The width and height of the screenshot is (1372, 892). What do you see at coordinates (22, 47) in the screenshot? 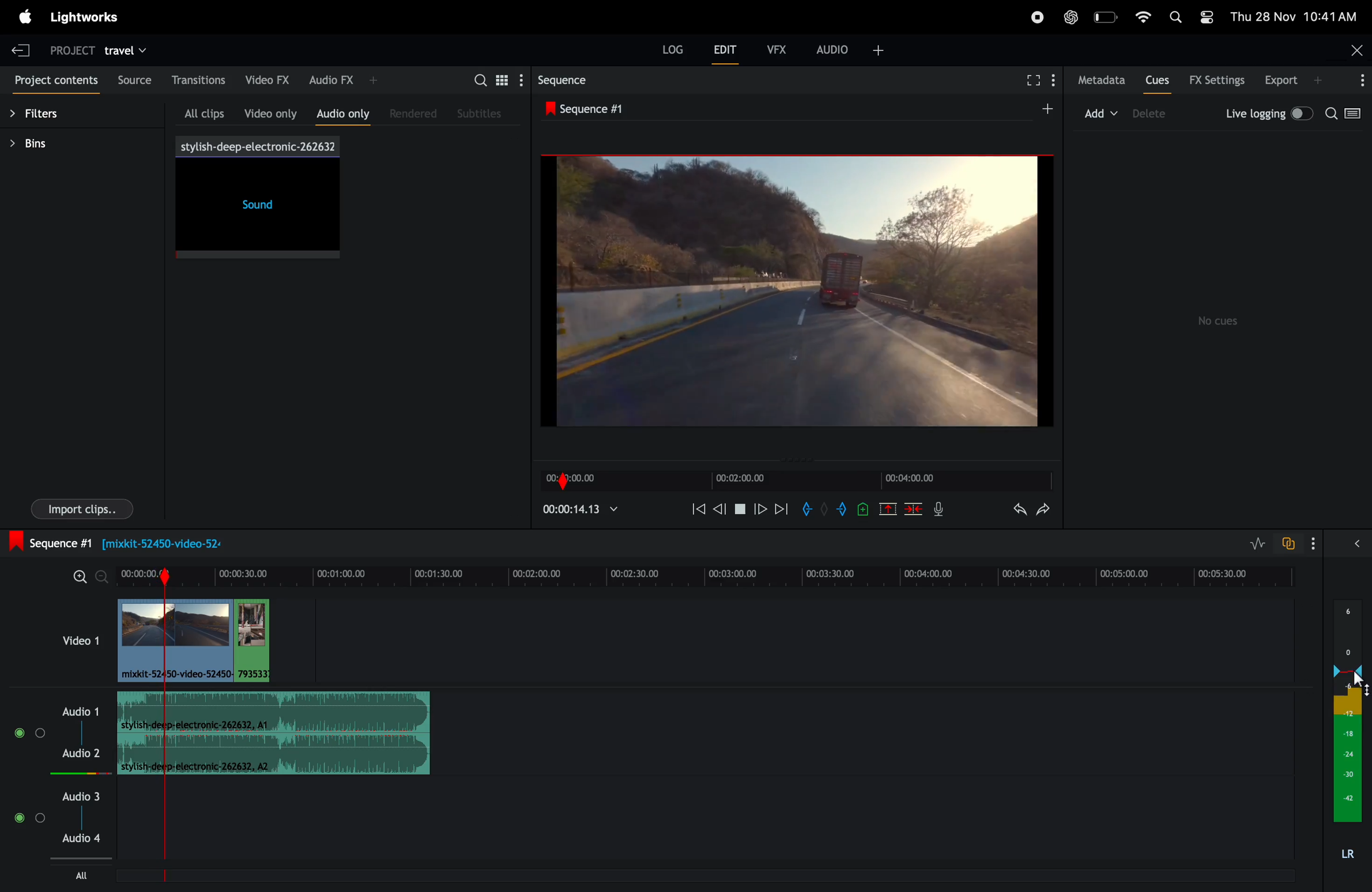
I see `exit` at bounding box center [22, 47].